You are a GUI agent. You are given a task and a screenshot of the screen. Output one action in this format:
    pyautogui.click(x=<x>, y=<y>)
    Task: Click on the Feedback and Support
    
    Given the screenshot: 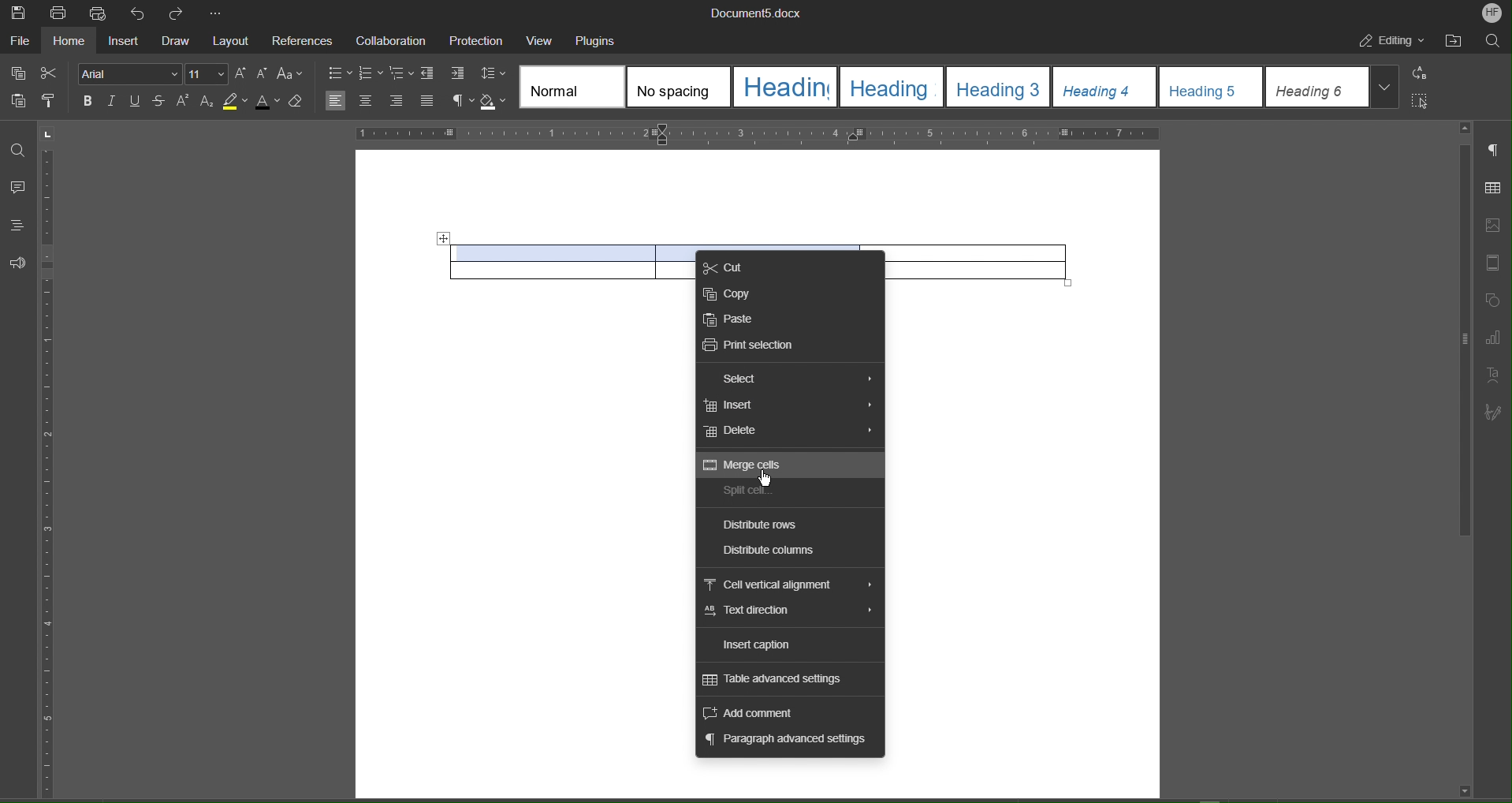 What is the action you would take?
    pyautogui.click(x=18, y=263)
    